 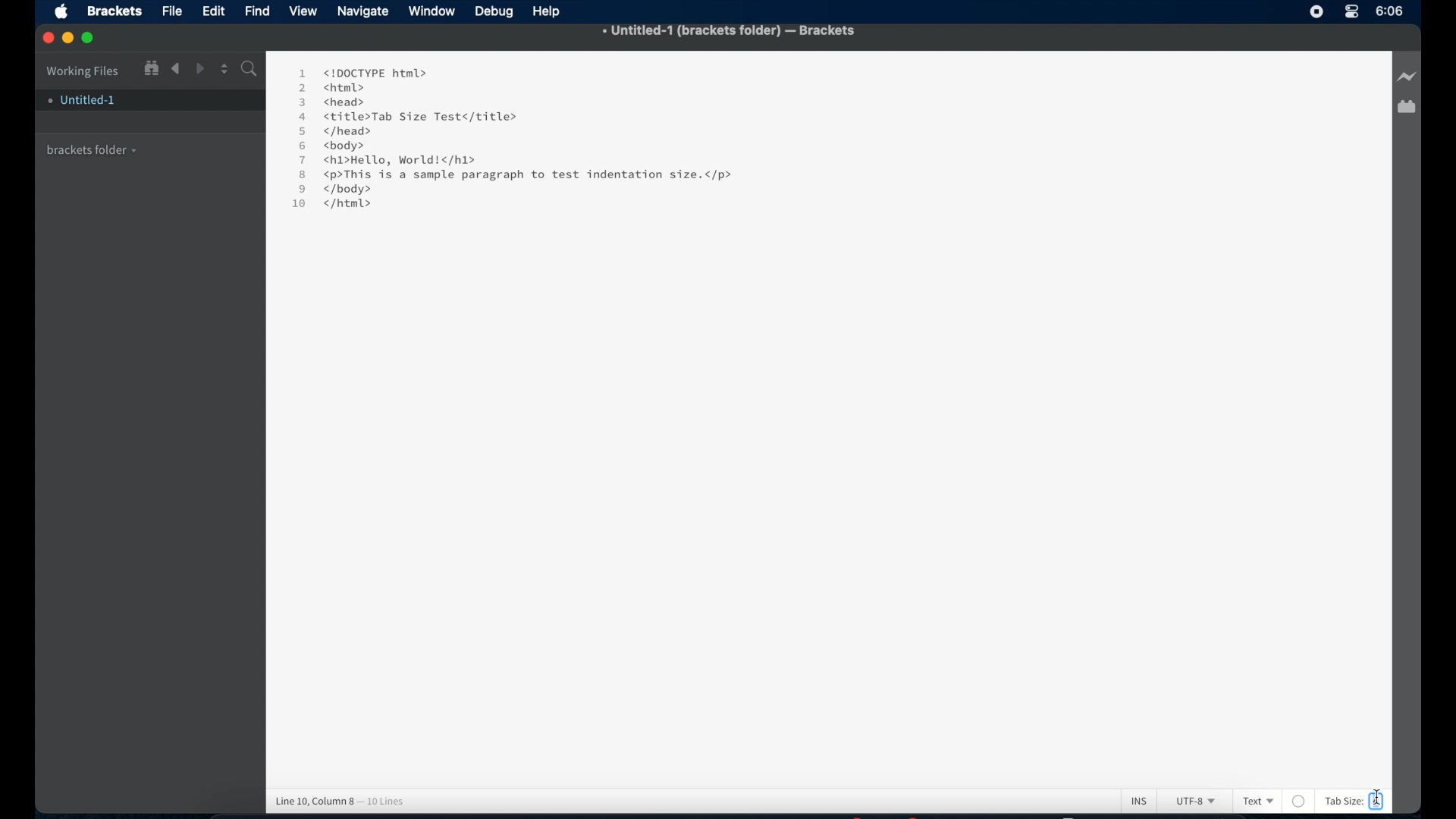 What do you see at coordinates (224, 68) in the screenshot?
I see `Up/Down` at bounding box center [224, 68].